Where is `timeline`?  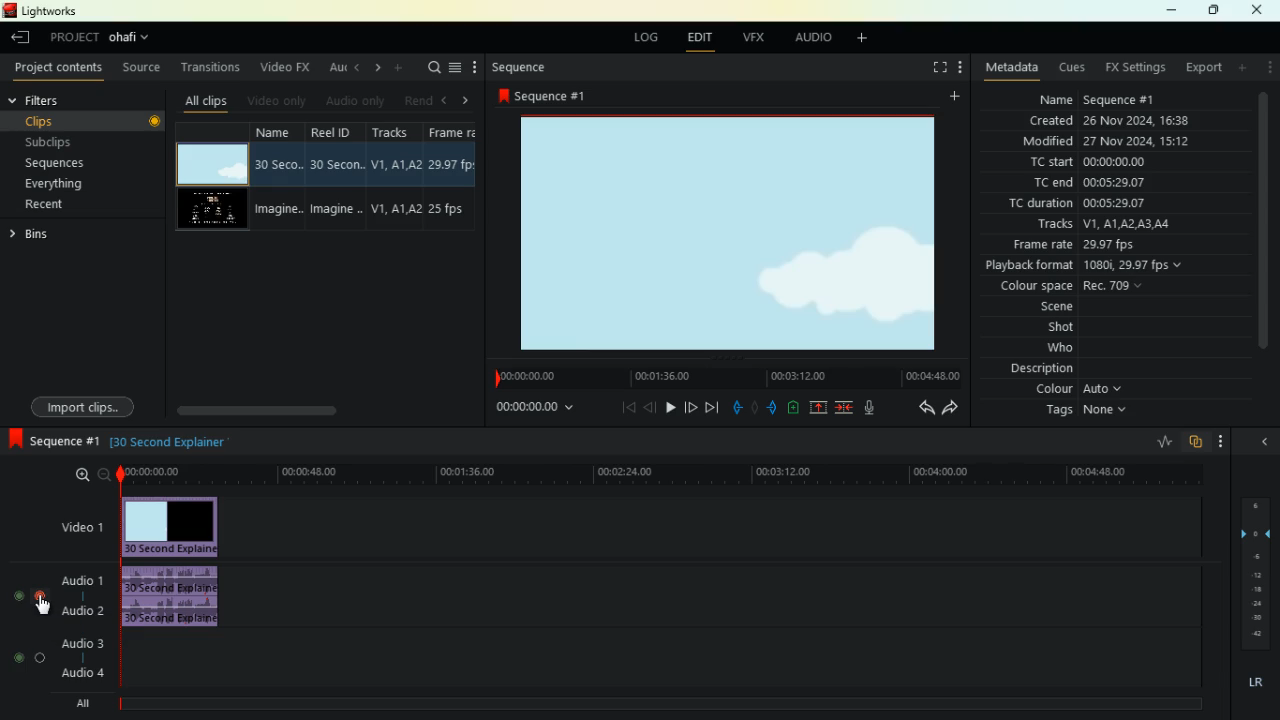
timeline is located at coordinates (719, 375).